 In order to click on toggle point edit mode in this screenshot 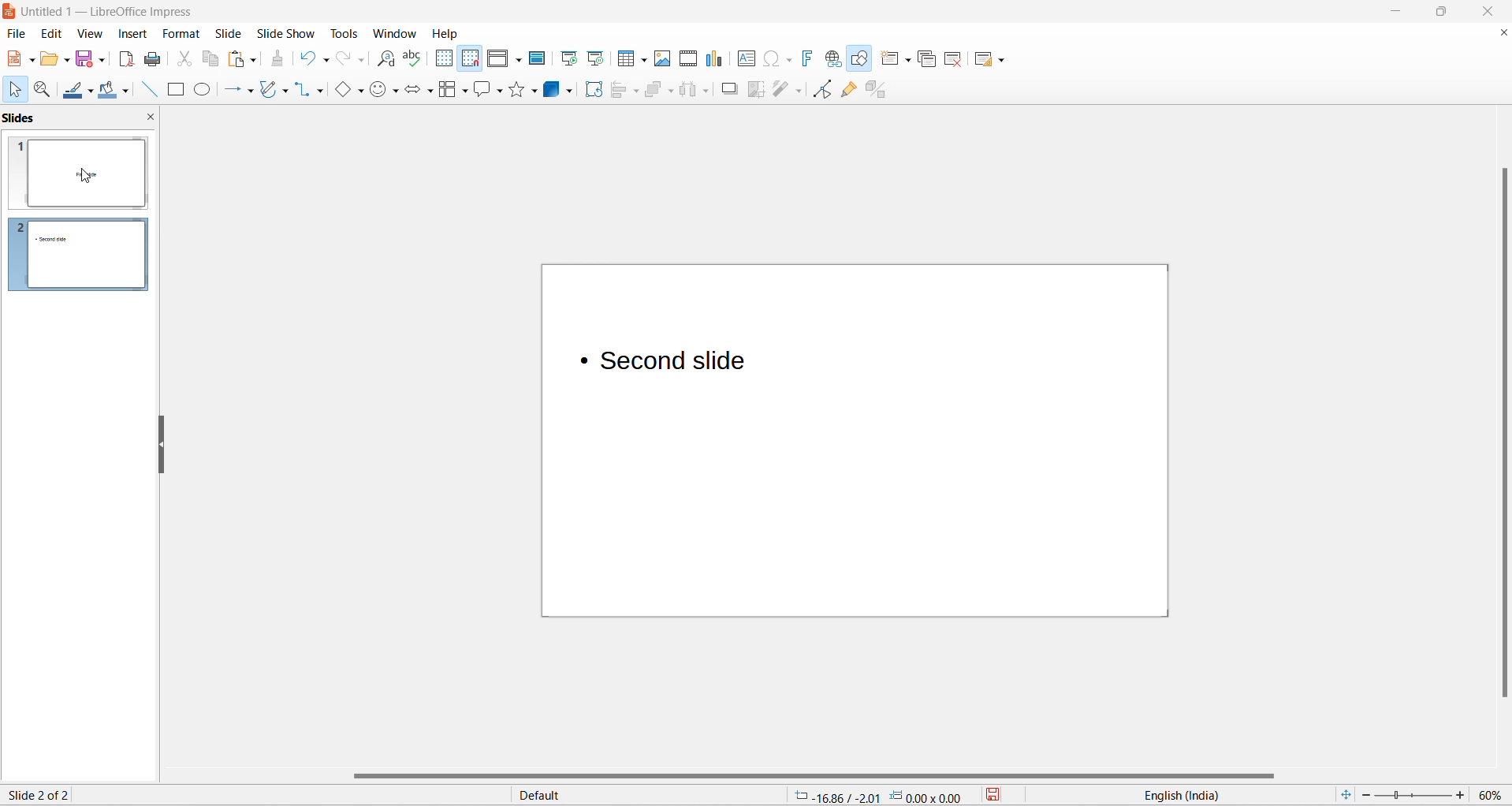, I will do `click(825, 91)`.